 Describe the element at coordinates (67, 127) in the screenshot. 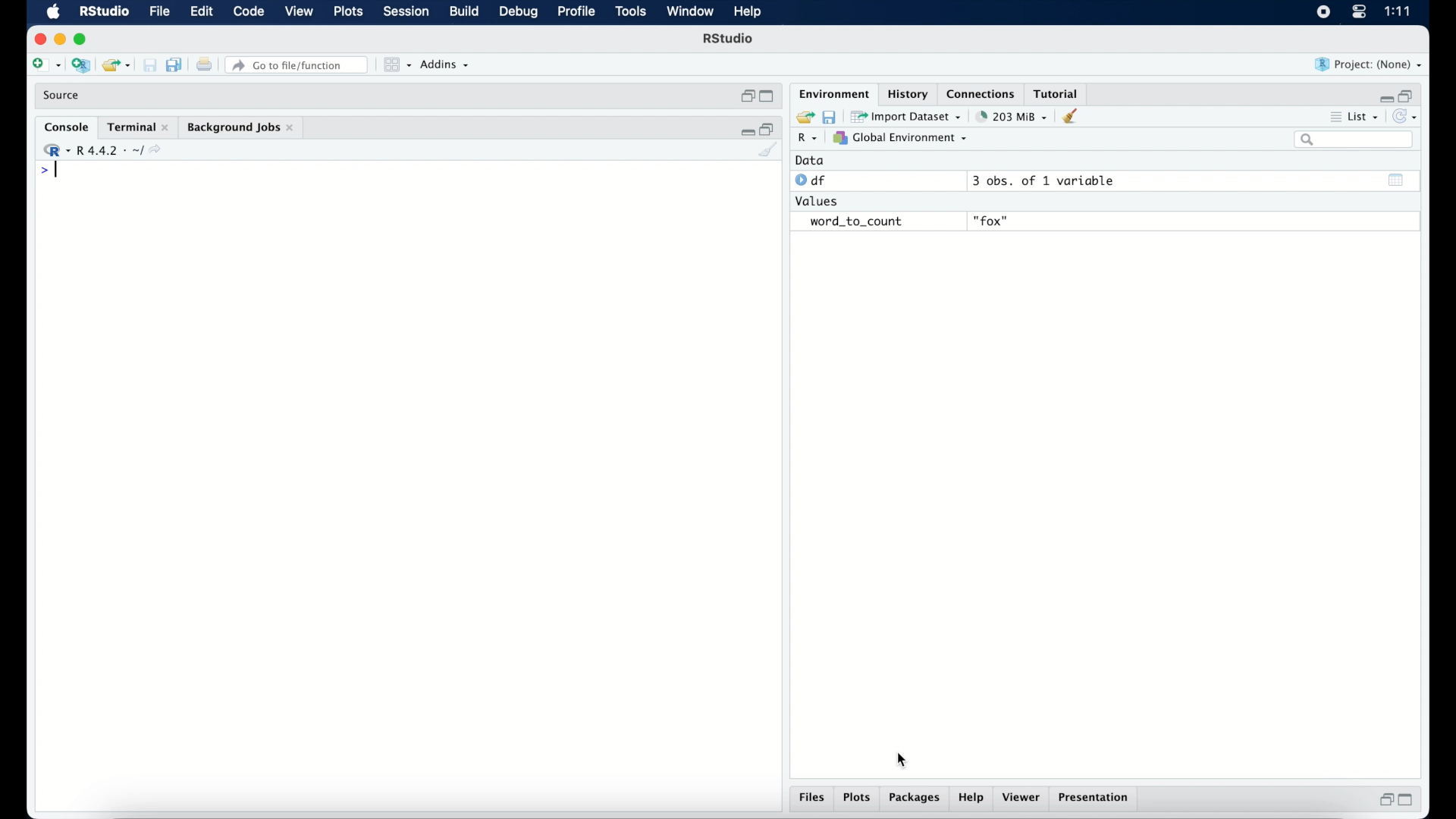

I see `console` at that location.